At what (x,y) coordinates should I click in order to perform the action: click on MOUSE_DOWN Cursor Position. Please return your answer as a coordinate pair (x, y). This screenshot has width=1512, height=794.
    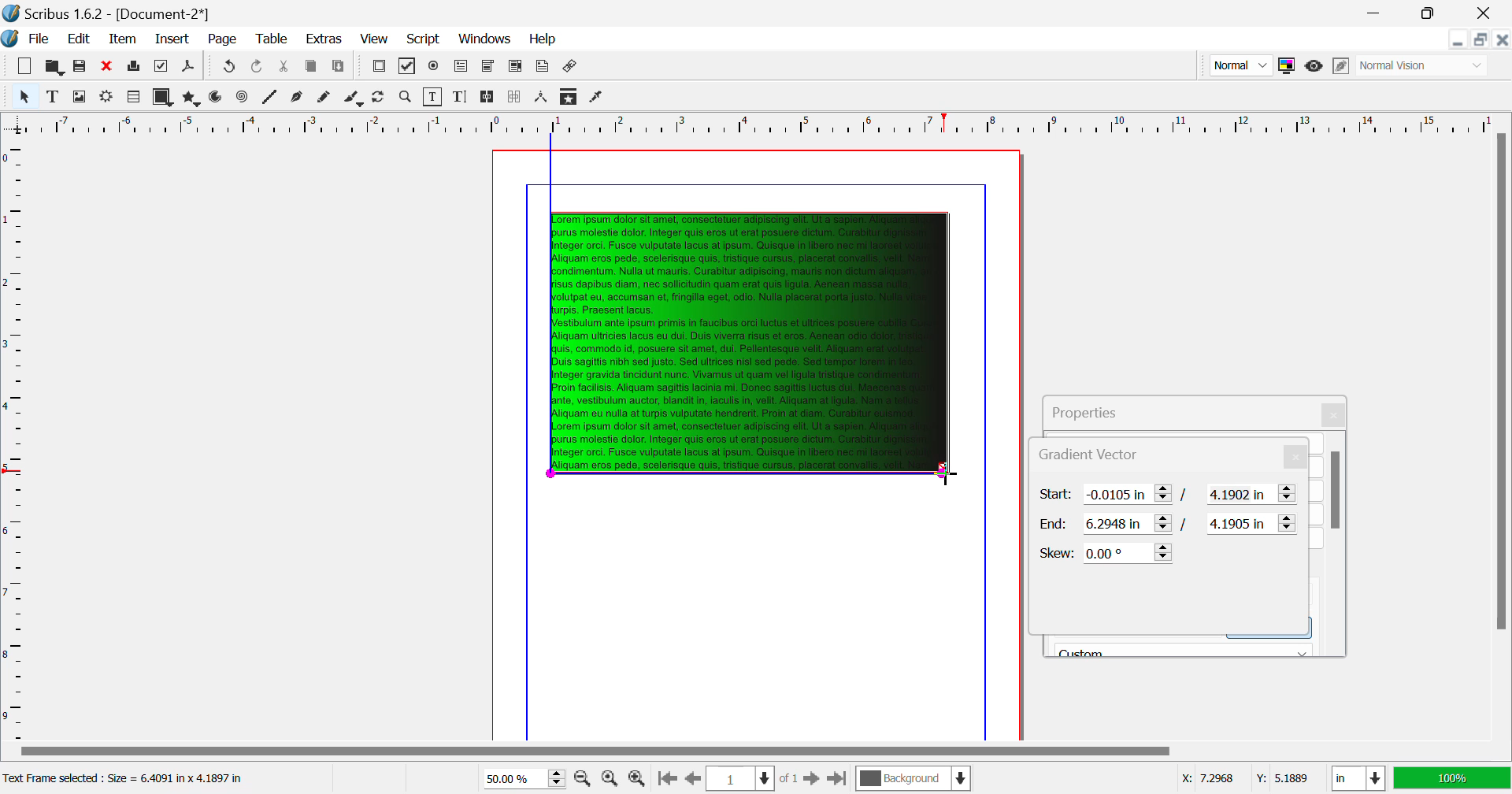
    Looking at the image, I should click on (949, 474).